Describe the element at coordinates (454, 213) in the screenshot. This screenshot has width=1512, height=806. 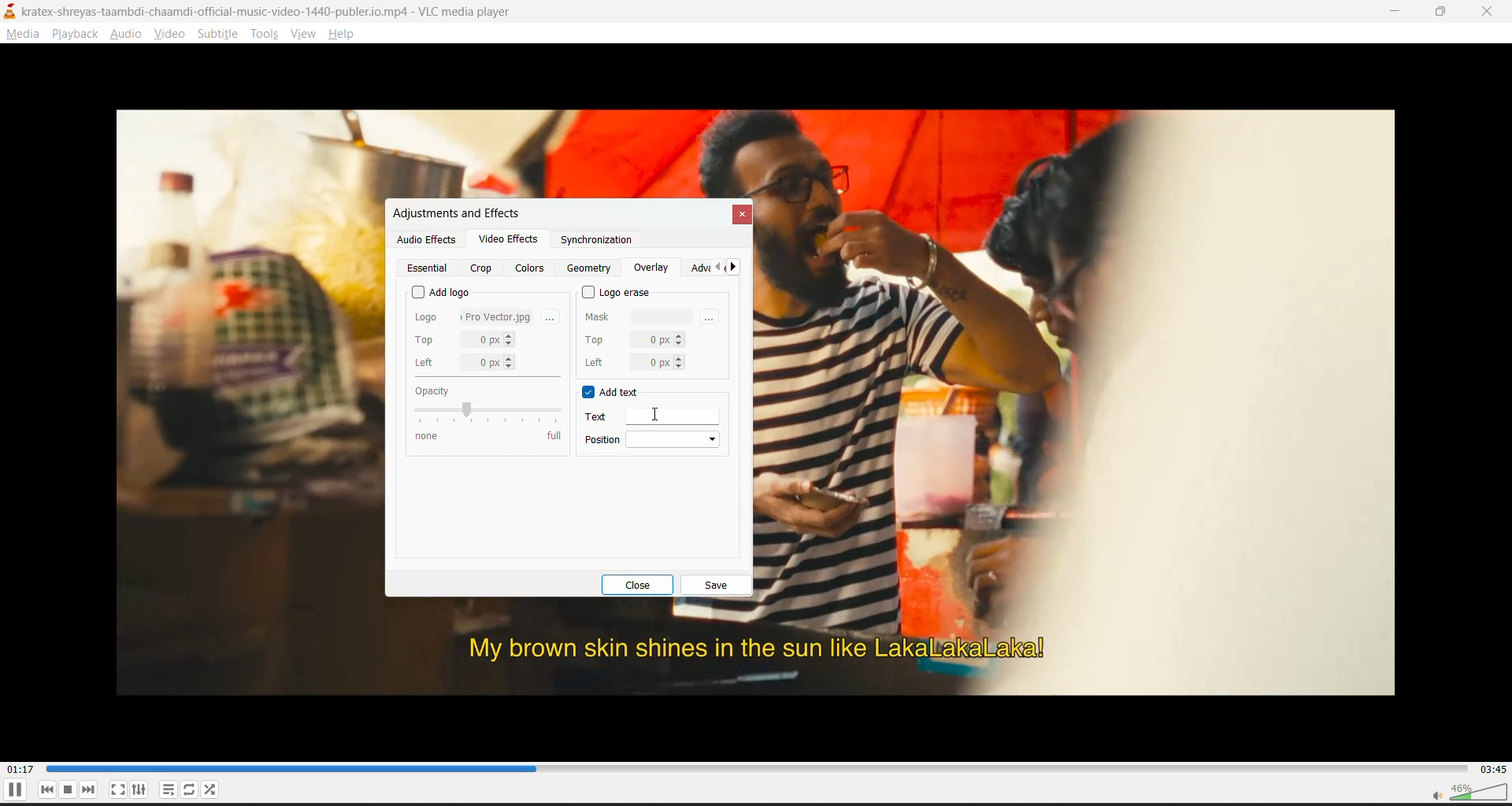
I see `adjustments and effects` at that location.